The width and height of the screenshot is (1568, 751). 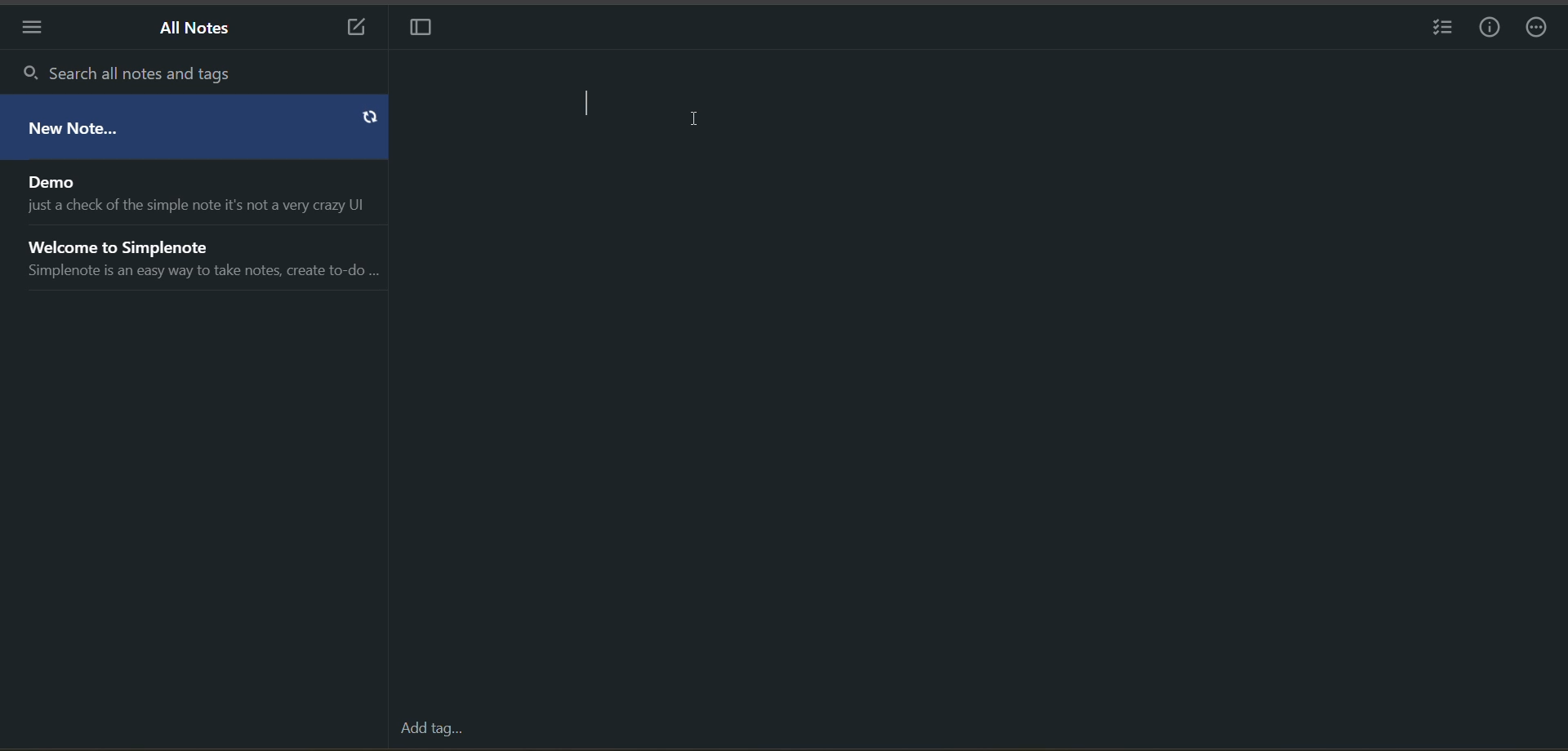 I want to click on toggle focus mode, so click(x=421, y=29).